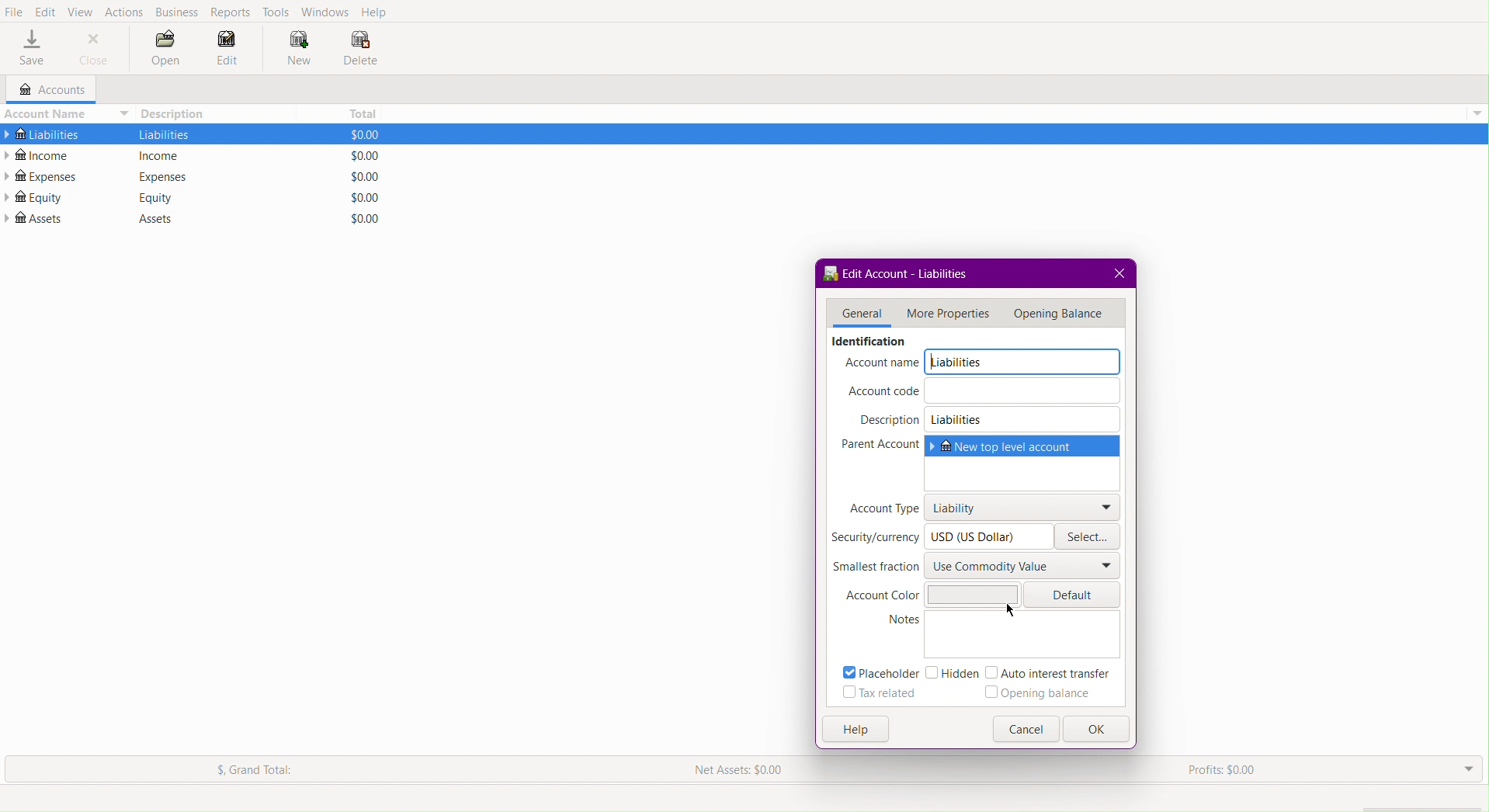 This screenshot has width=1489, height=812. What do you see at coordinates (904, 620) in the screenshot?
I see `notes` at bounding box center [904, 620].